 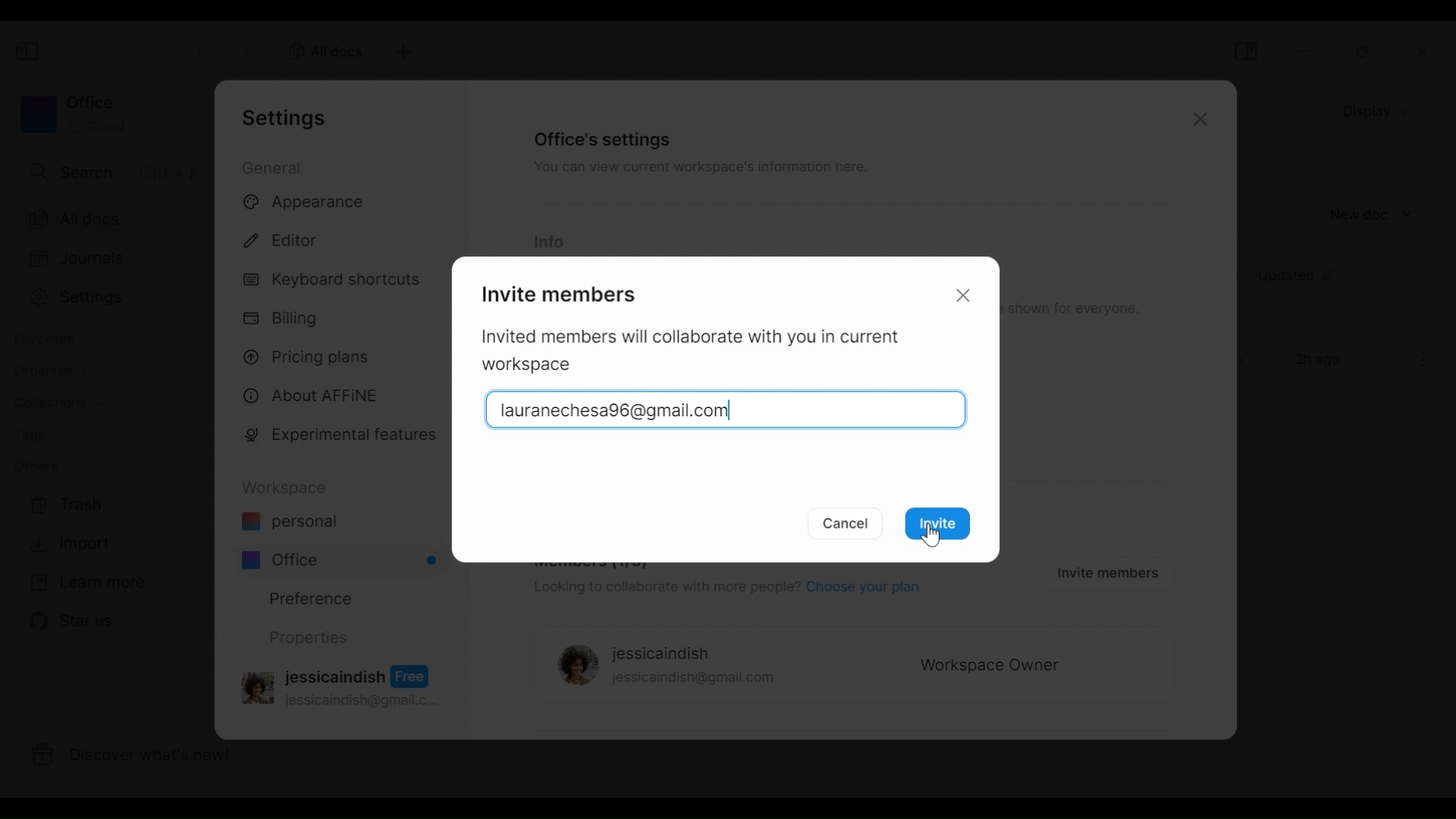 What do you see at coordinates (321, 50) in the screenshot?
I see `All documents` at bounding box center [321, 50].